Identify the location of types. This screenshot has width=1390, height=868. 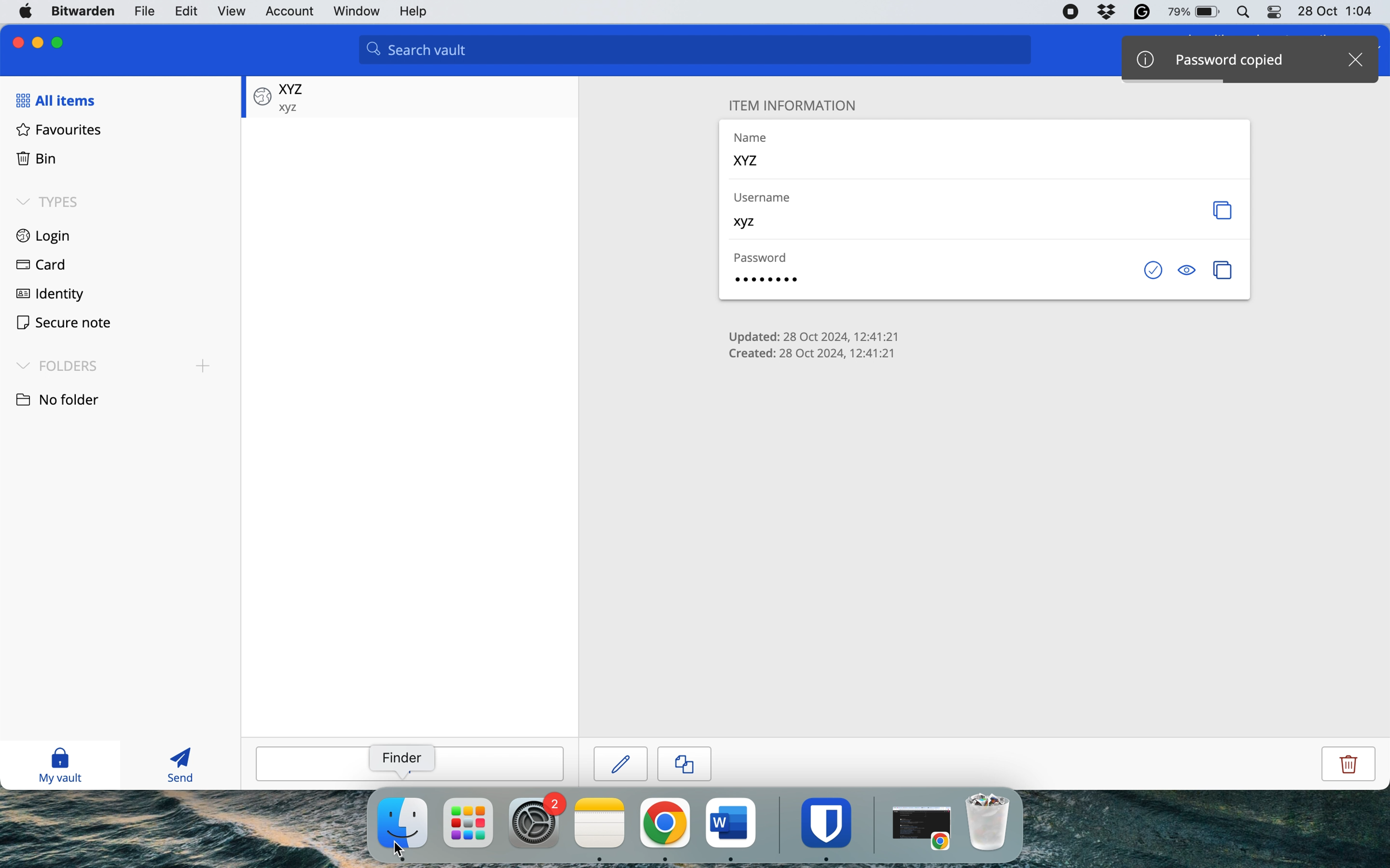
(53, 203).